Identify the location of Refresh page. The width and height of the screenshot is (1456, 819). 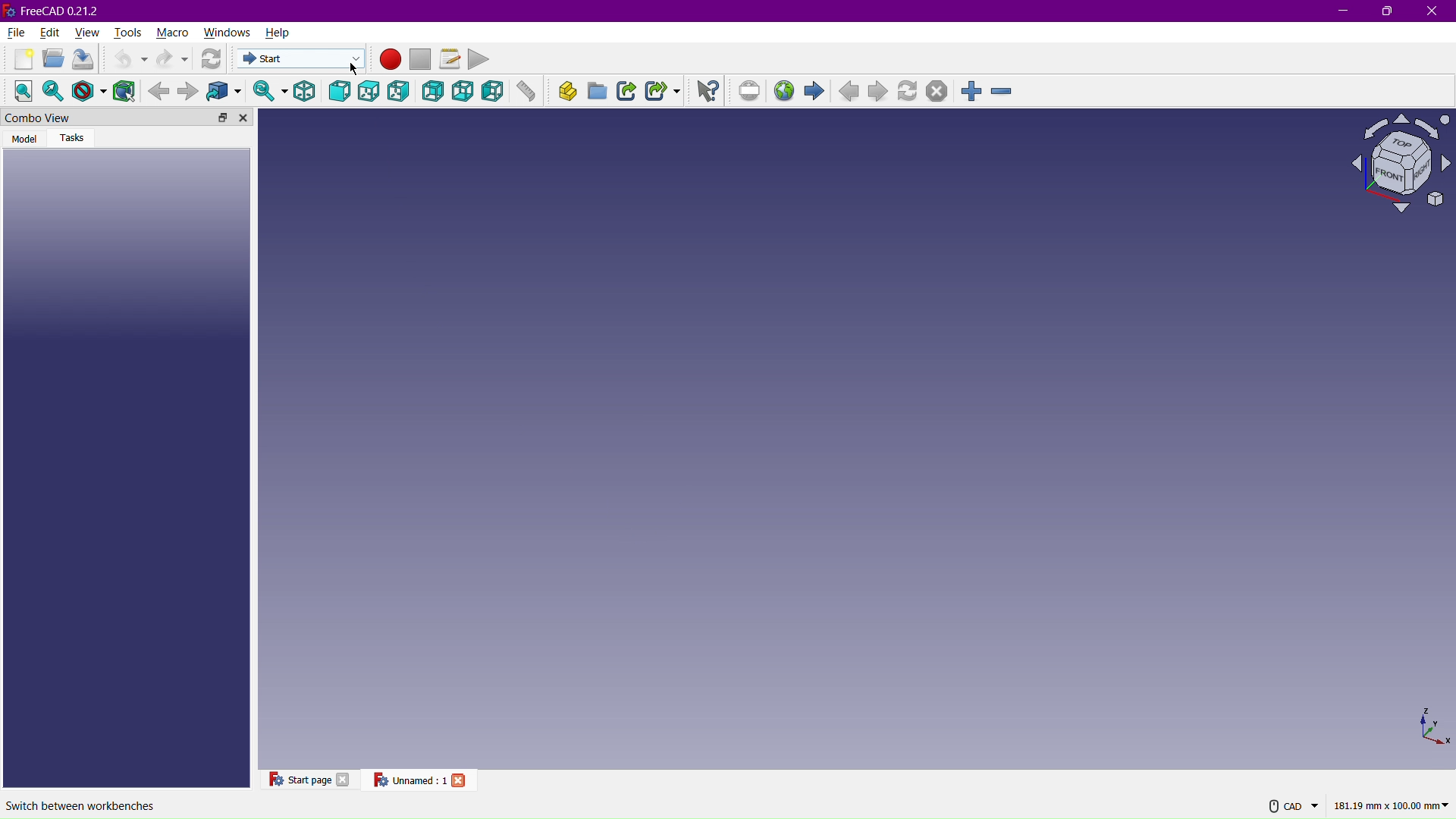
(909, 91).